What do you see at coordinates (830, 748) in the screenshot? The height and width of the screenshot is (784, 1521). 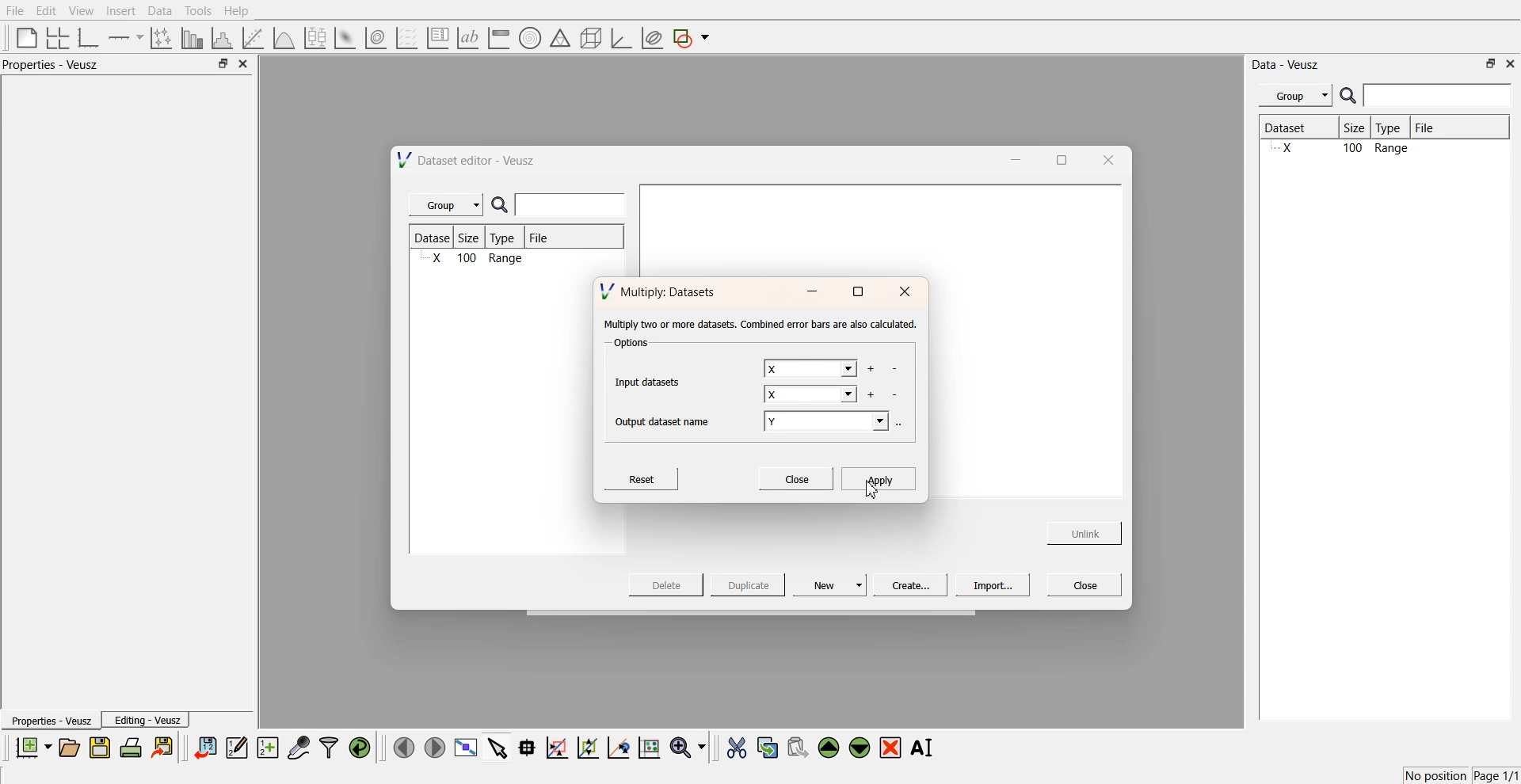 I see `move the selected widgets up` at bounding box center [830, 748].